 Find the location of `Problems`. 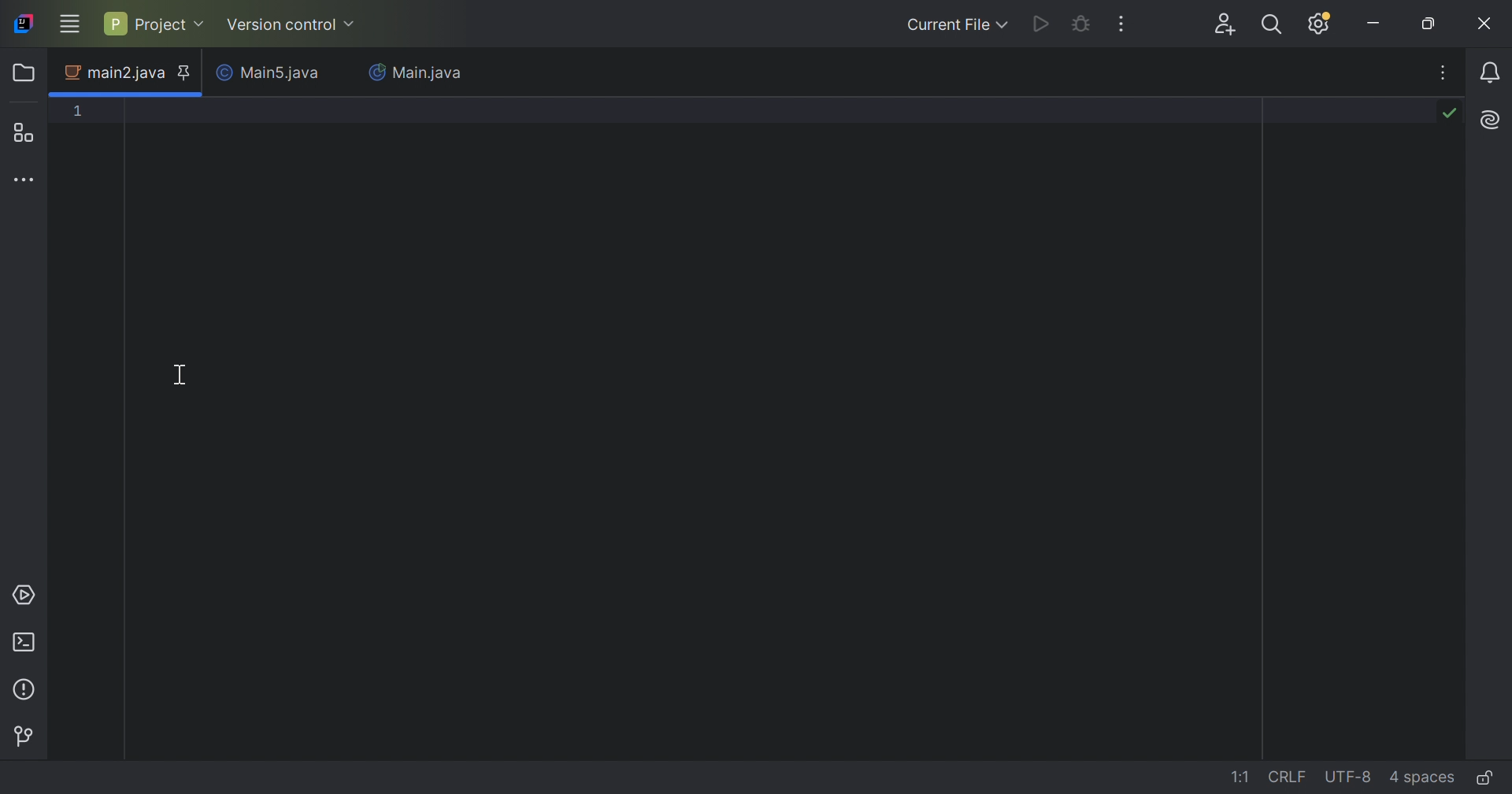

Problems is located at coordinates (27, 690).